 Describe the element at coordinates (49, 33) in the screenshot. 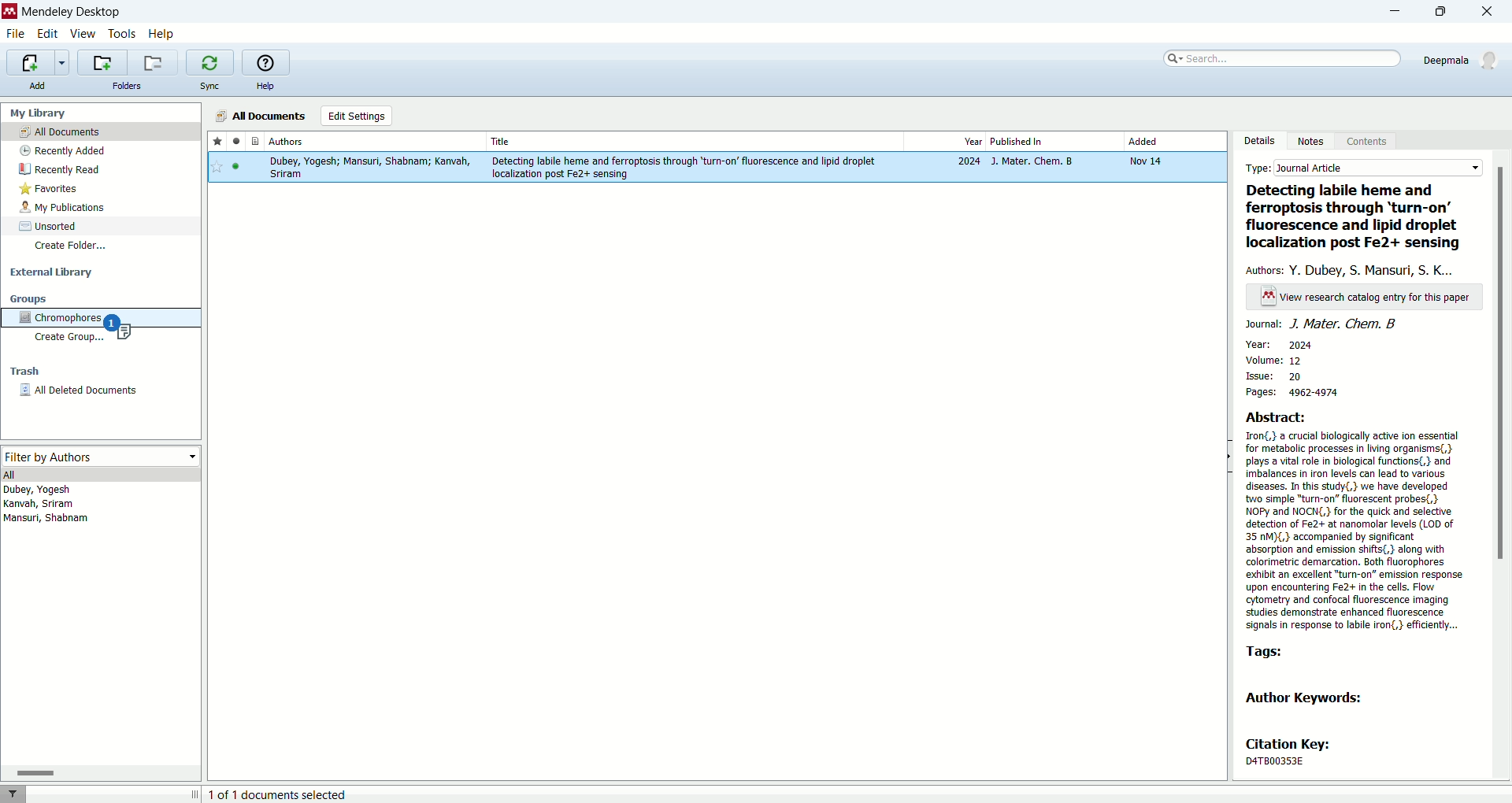

I see `edit` at that location.